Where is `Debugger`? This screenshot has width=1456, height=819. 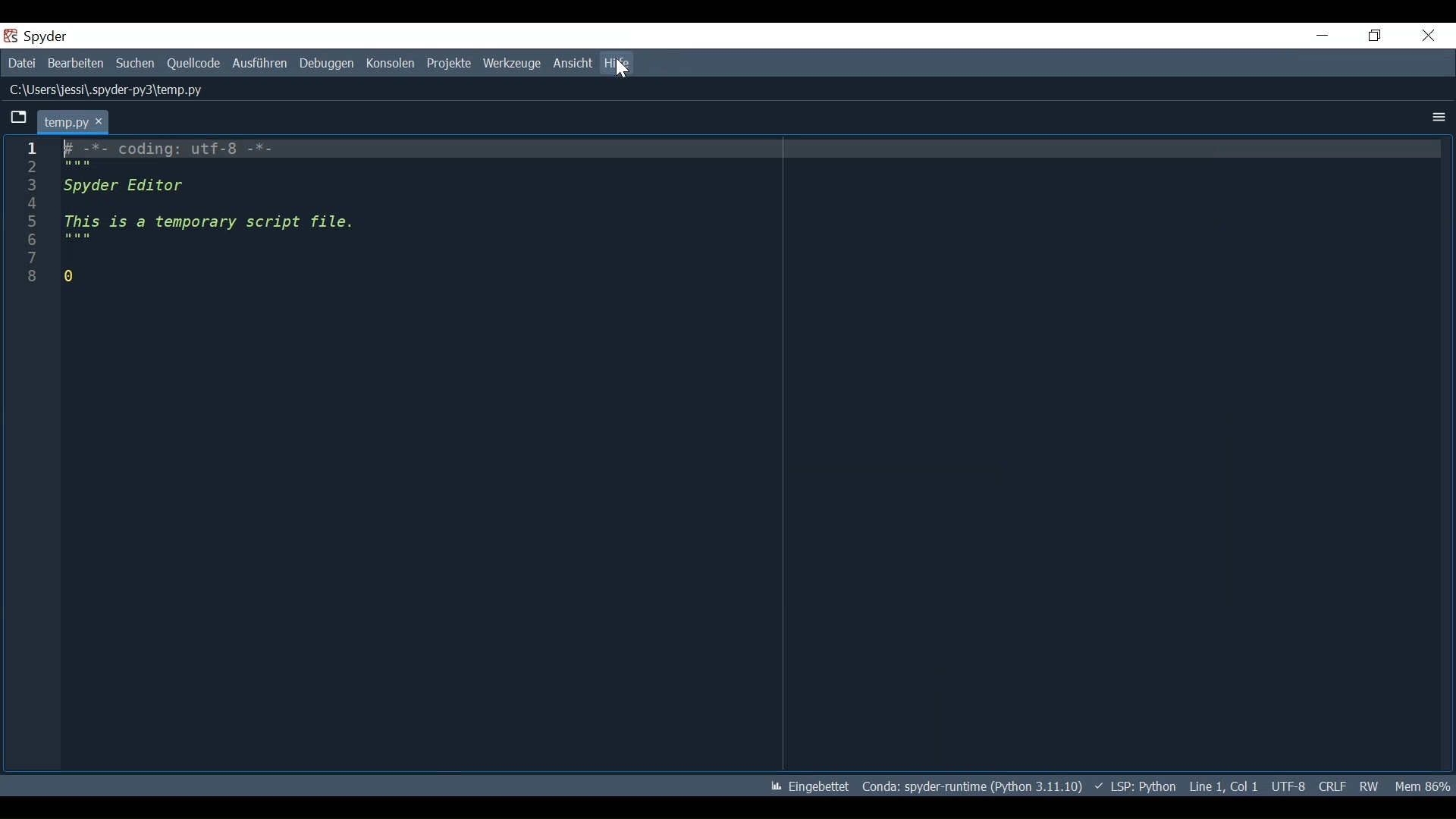 Debugger is located at coordinates (328, 63).